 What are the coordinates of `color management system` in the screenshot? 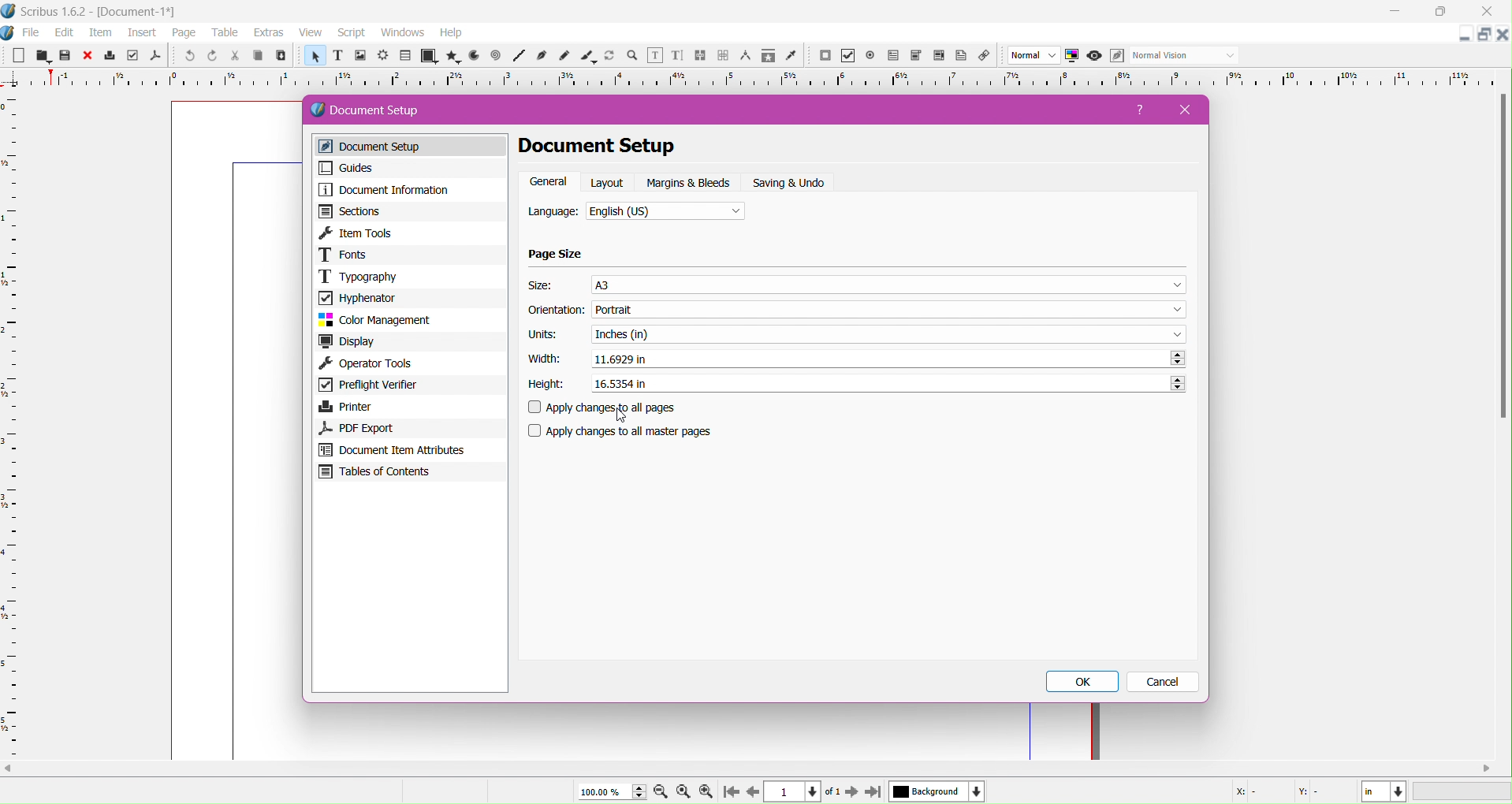 It's located at (1072, 56).